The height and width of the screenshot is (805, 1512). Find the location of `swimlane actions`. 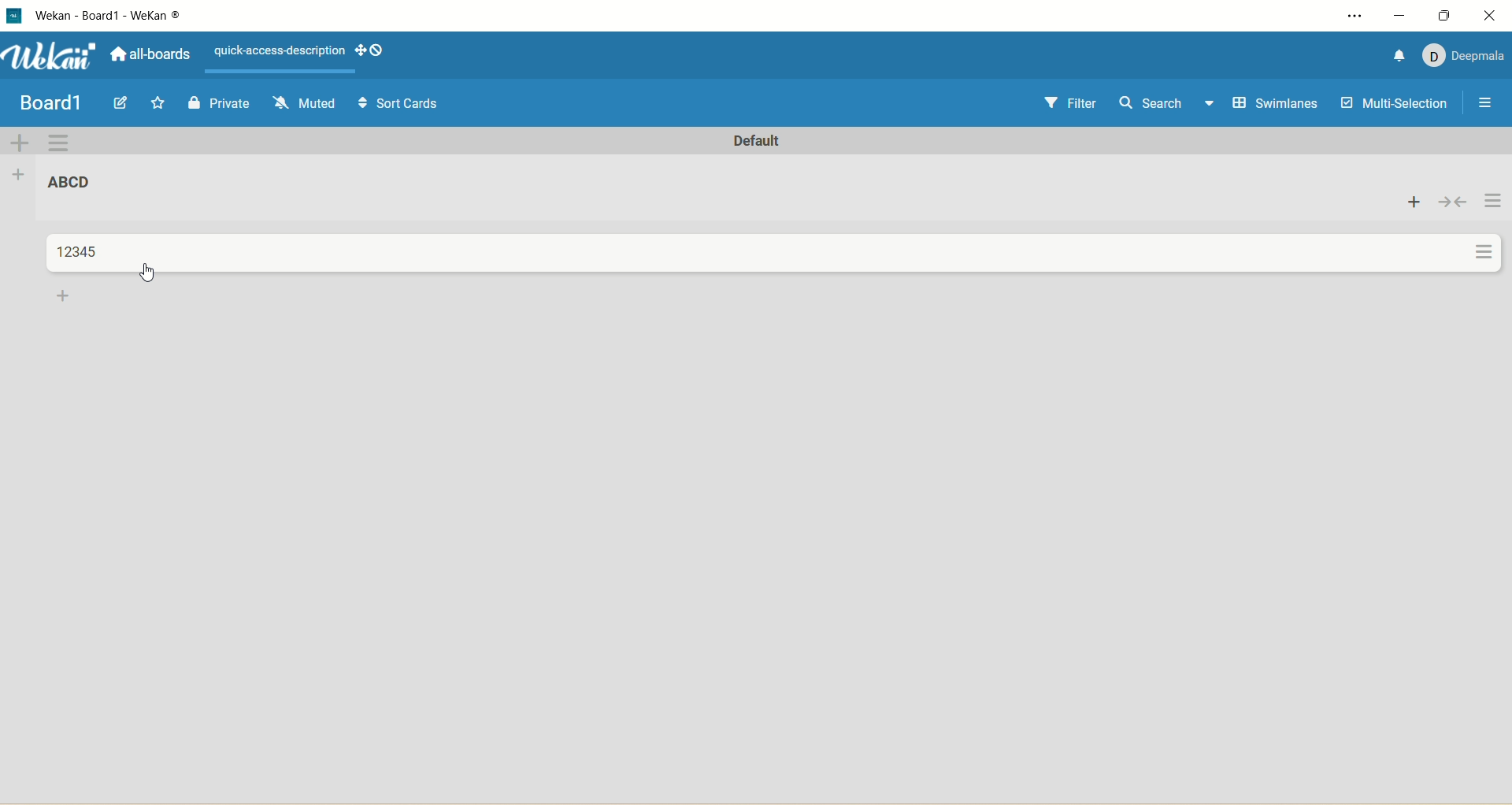

swimlane actions is located at coordinates (60, 143).